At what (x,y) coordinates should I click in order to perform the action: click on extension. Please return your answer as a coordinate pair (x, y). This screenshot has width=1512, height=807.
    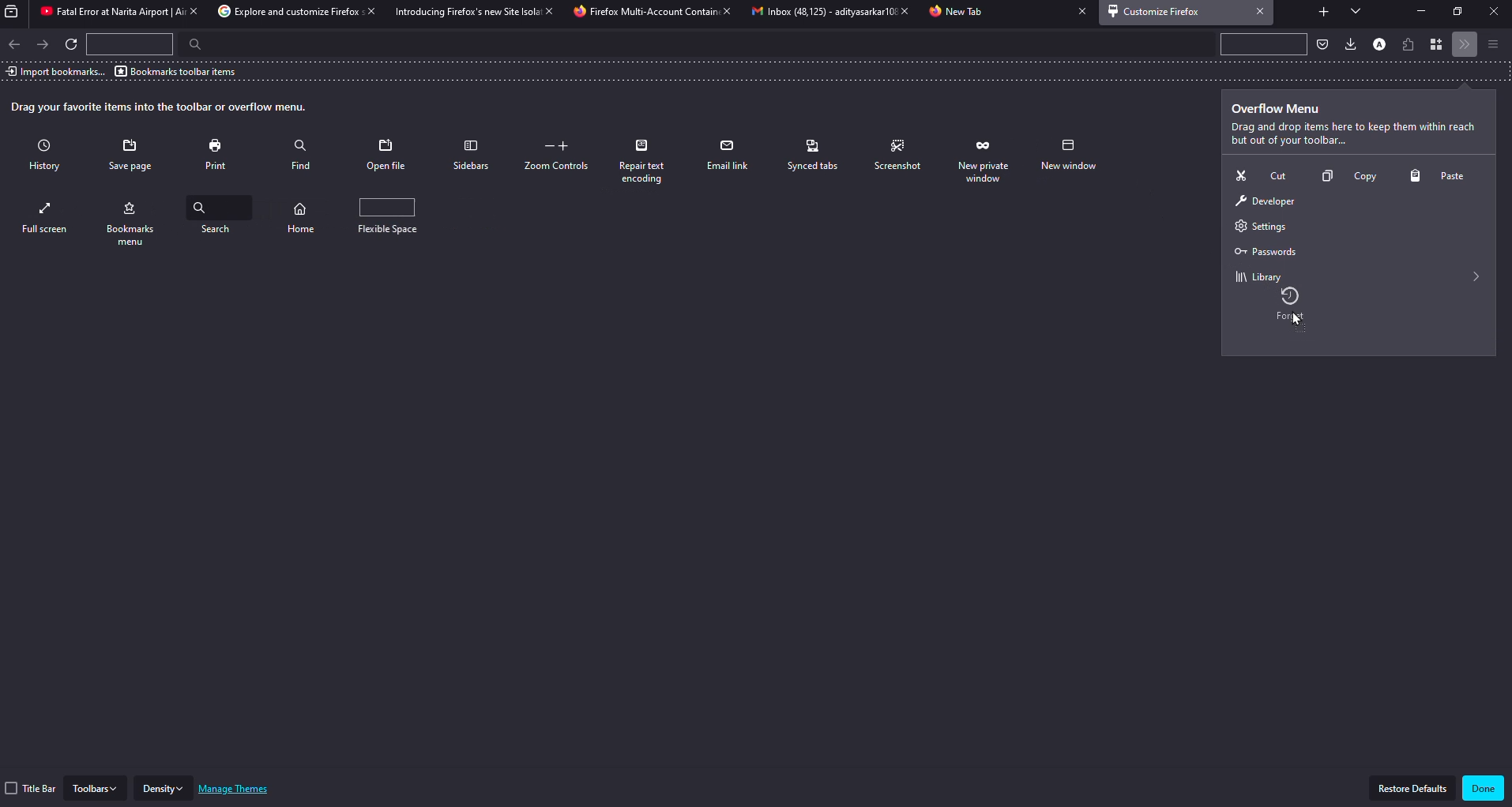
    Looking at the image, I should click on (1410, 43).